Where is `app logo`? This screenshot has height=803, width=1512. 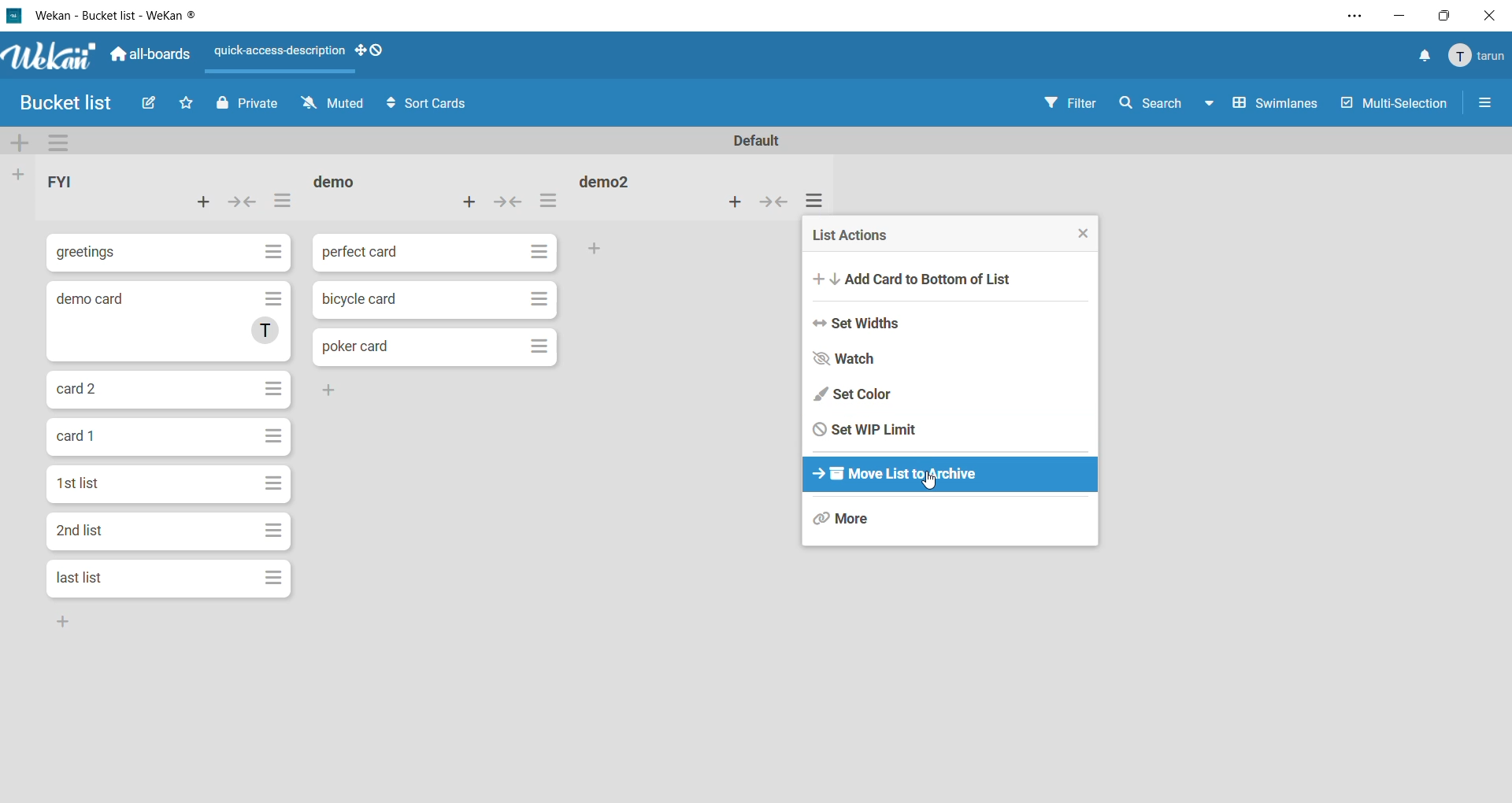
app logo is located at coordinates (50, 57).